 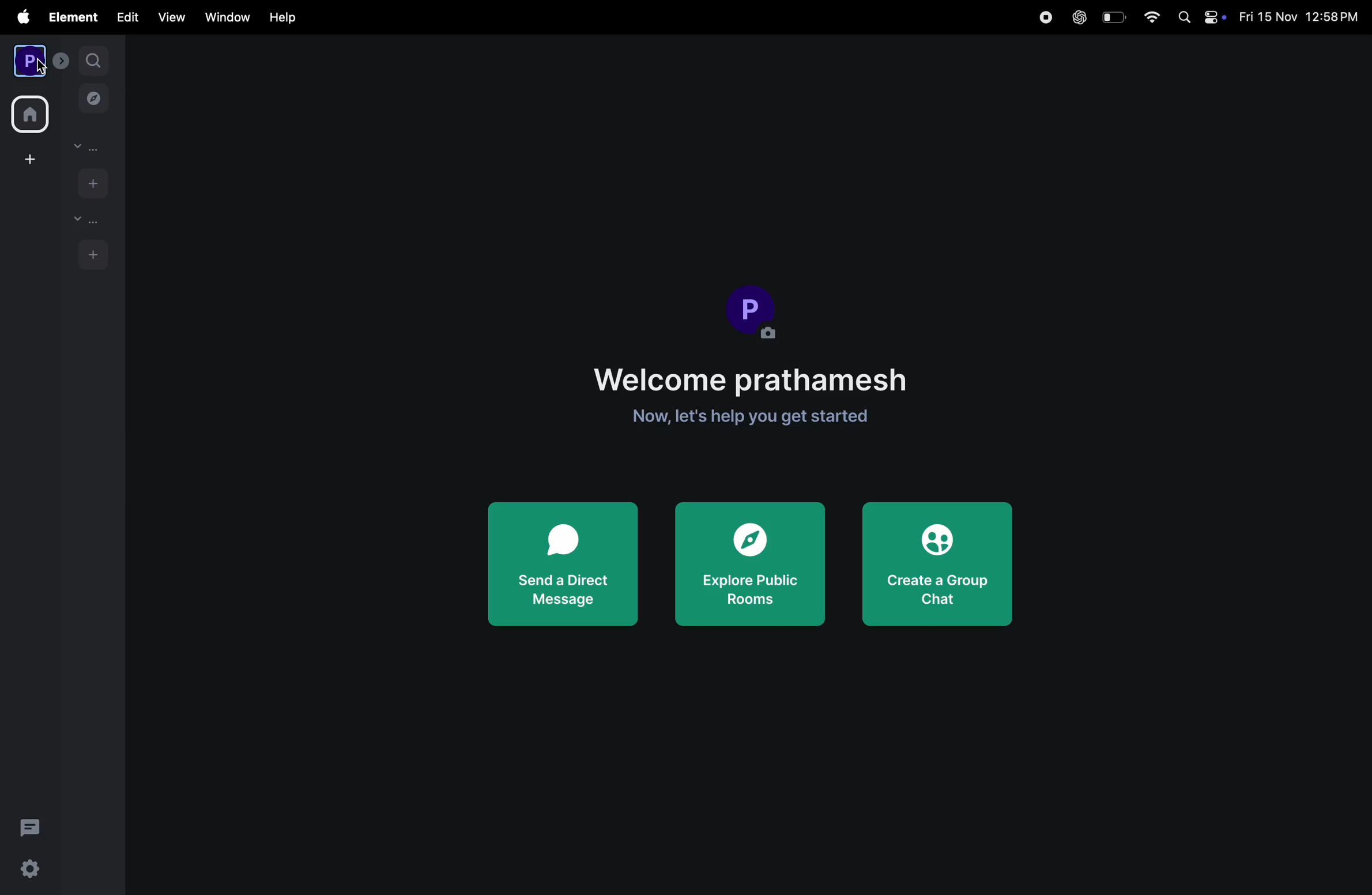 I want to click on Help, so click(x=284, y=17).